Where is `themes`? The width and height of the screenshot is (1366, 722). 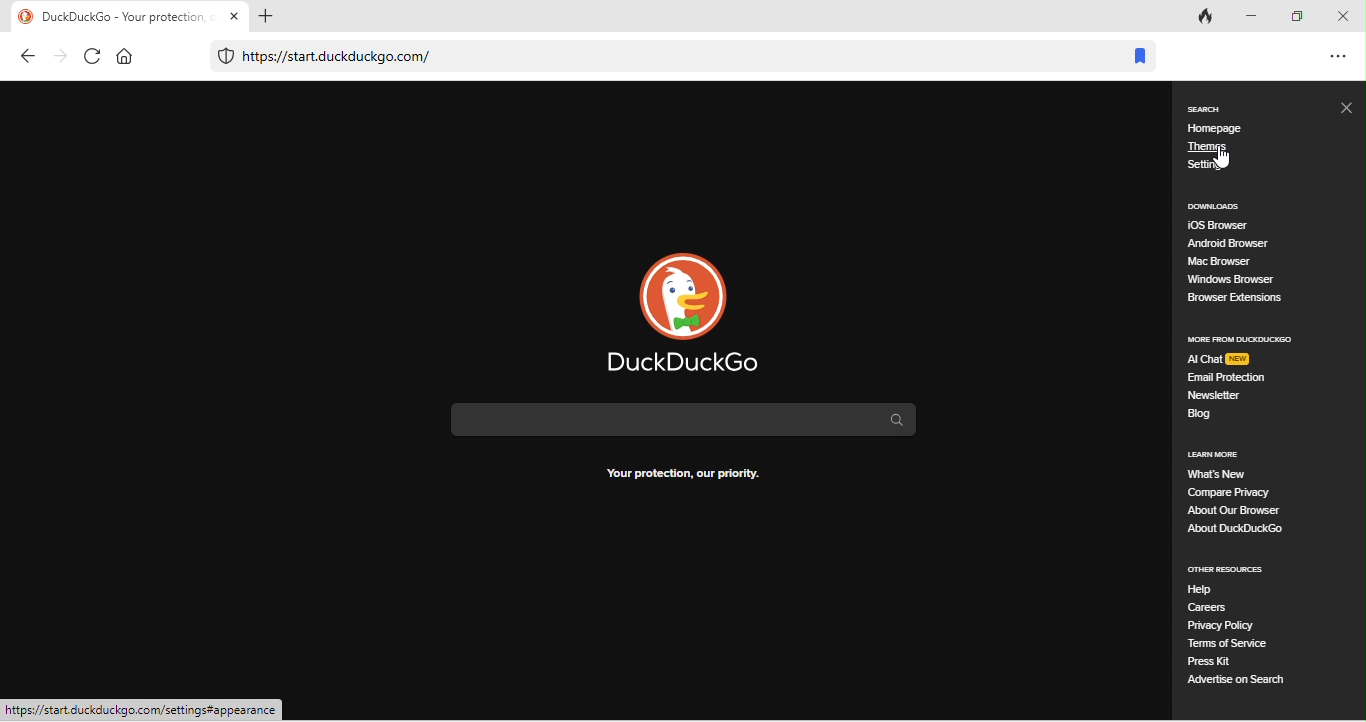
themes is located at coordinates (1215, 145).